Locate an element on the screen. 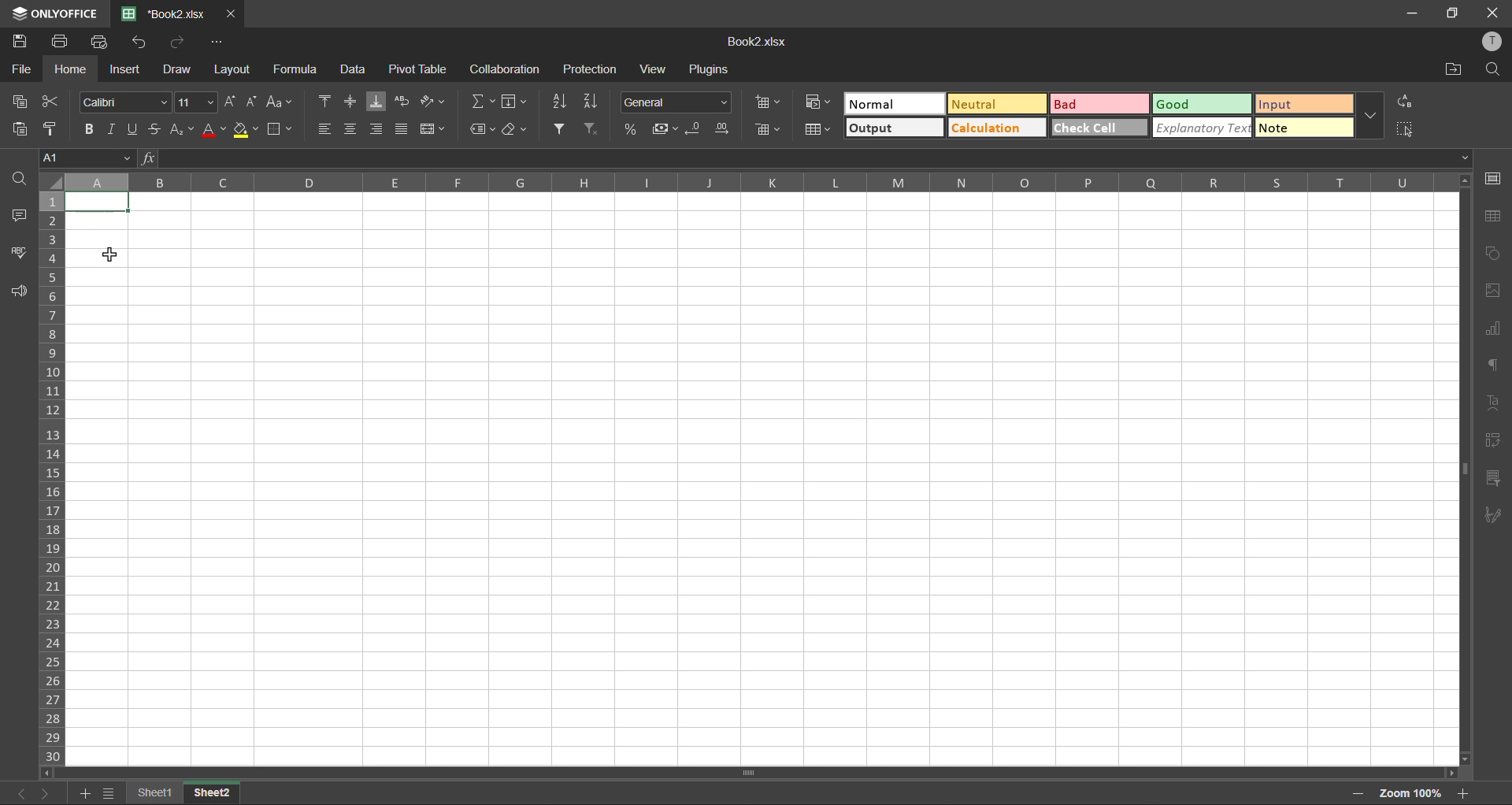 This screenshot has width=1512, height=805. cell settings is located at coordinates (1495, 178).